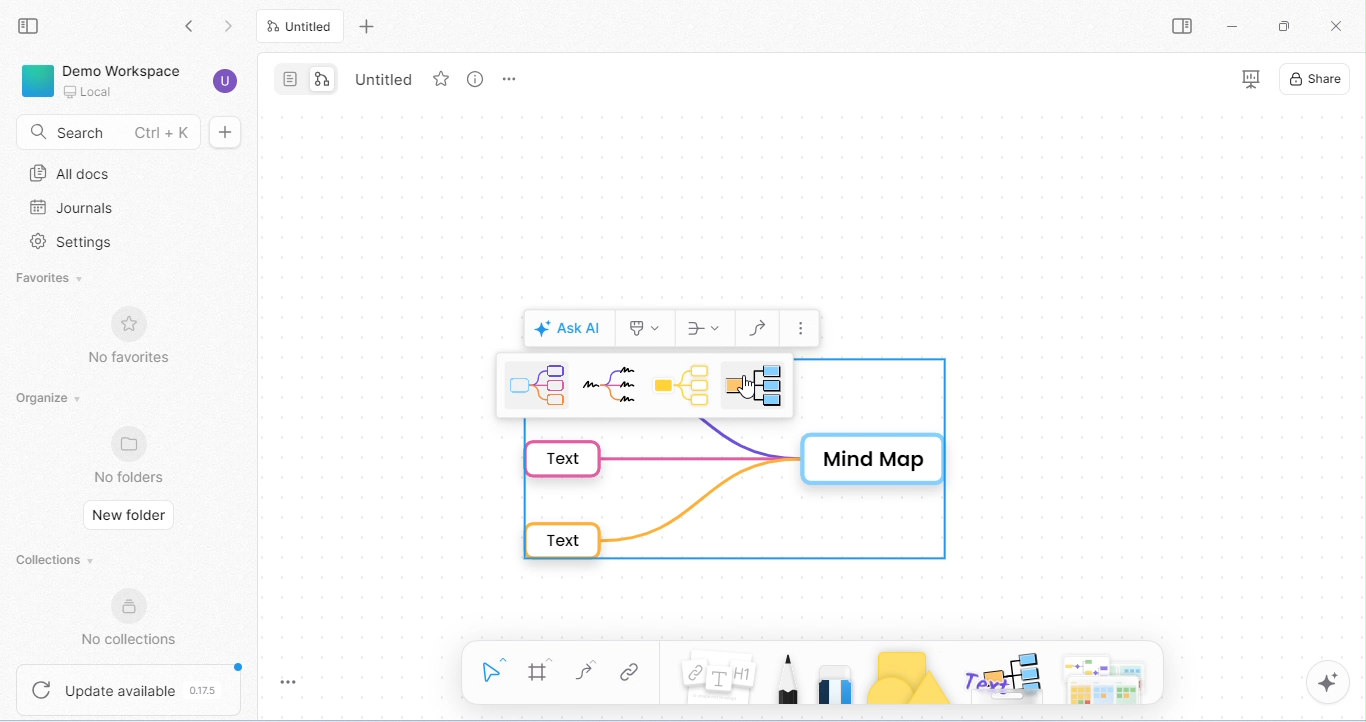 The height and width of the screenshot is (722, 1366). I want to click on no folders, so click(132, 456).